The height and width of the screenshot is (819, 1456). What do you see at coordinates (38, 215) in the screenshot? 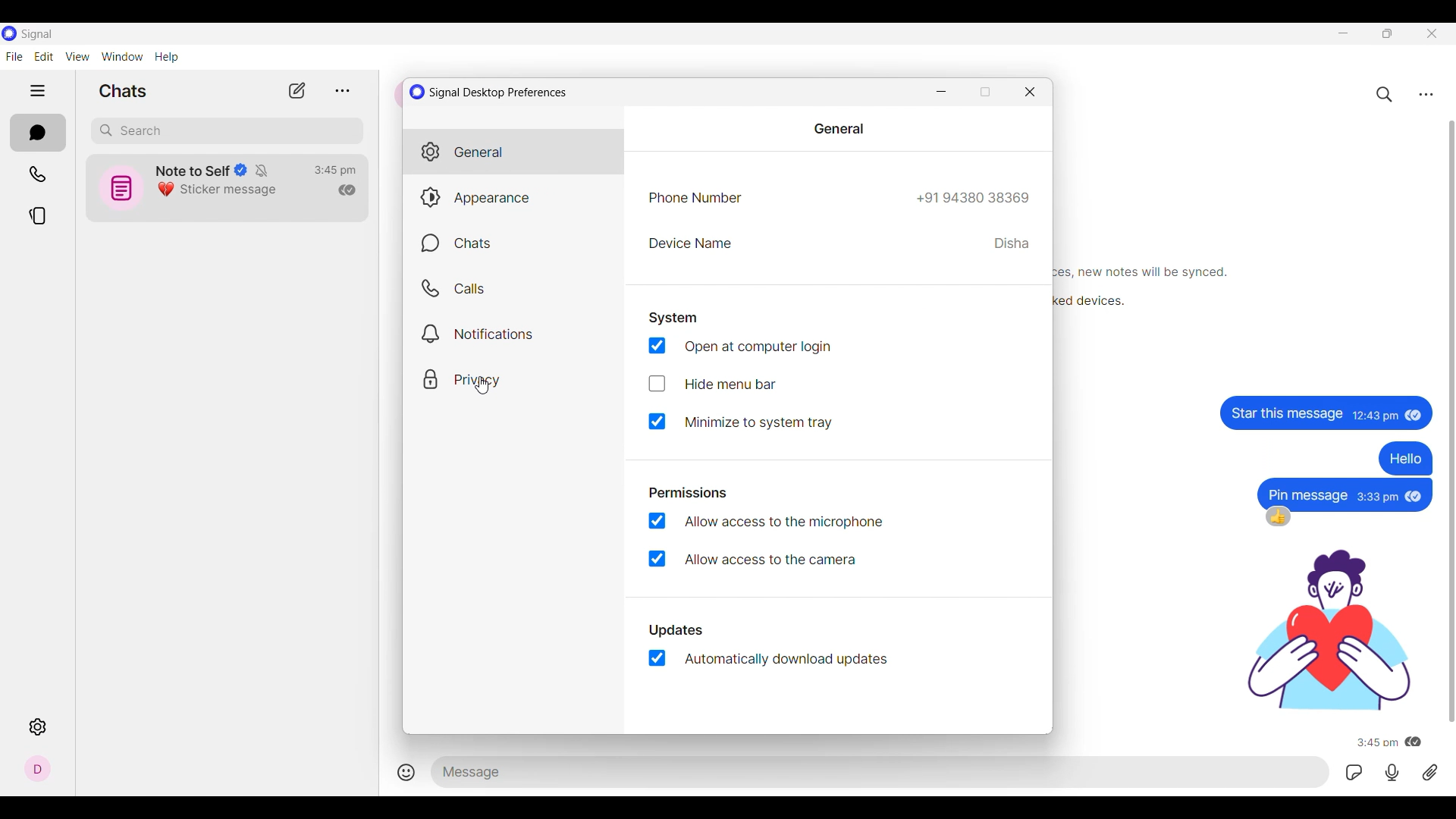
I see `Stories` at bounding box center [38, 215].